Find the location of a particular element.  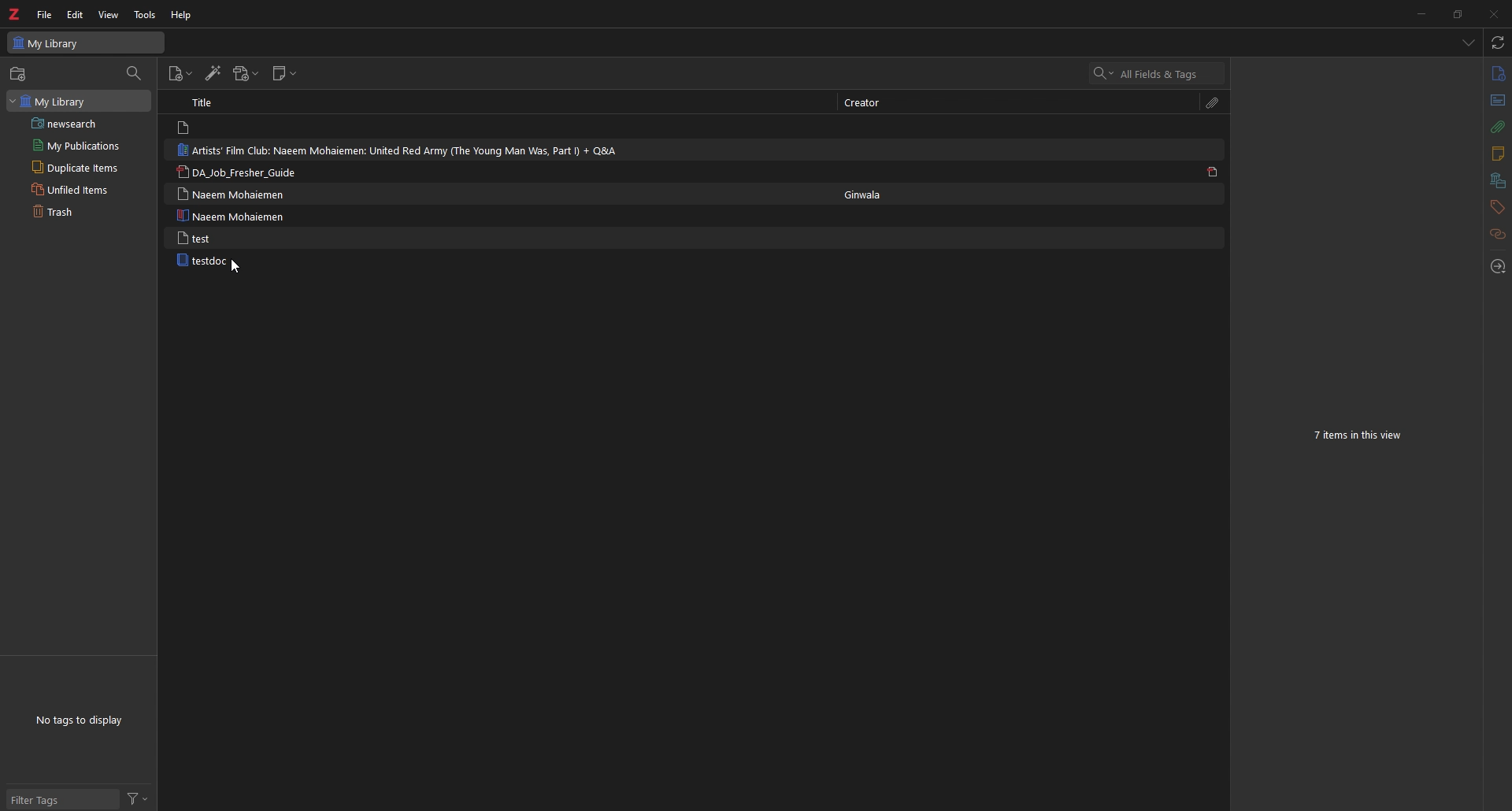

tags to display is located at coordinates (83, 720).